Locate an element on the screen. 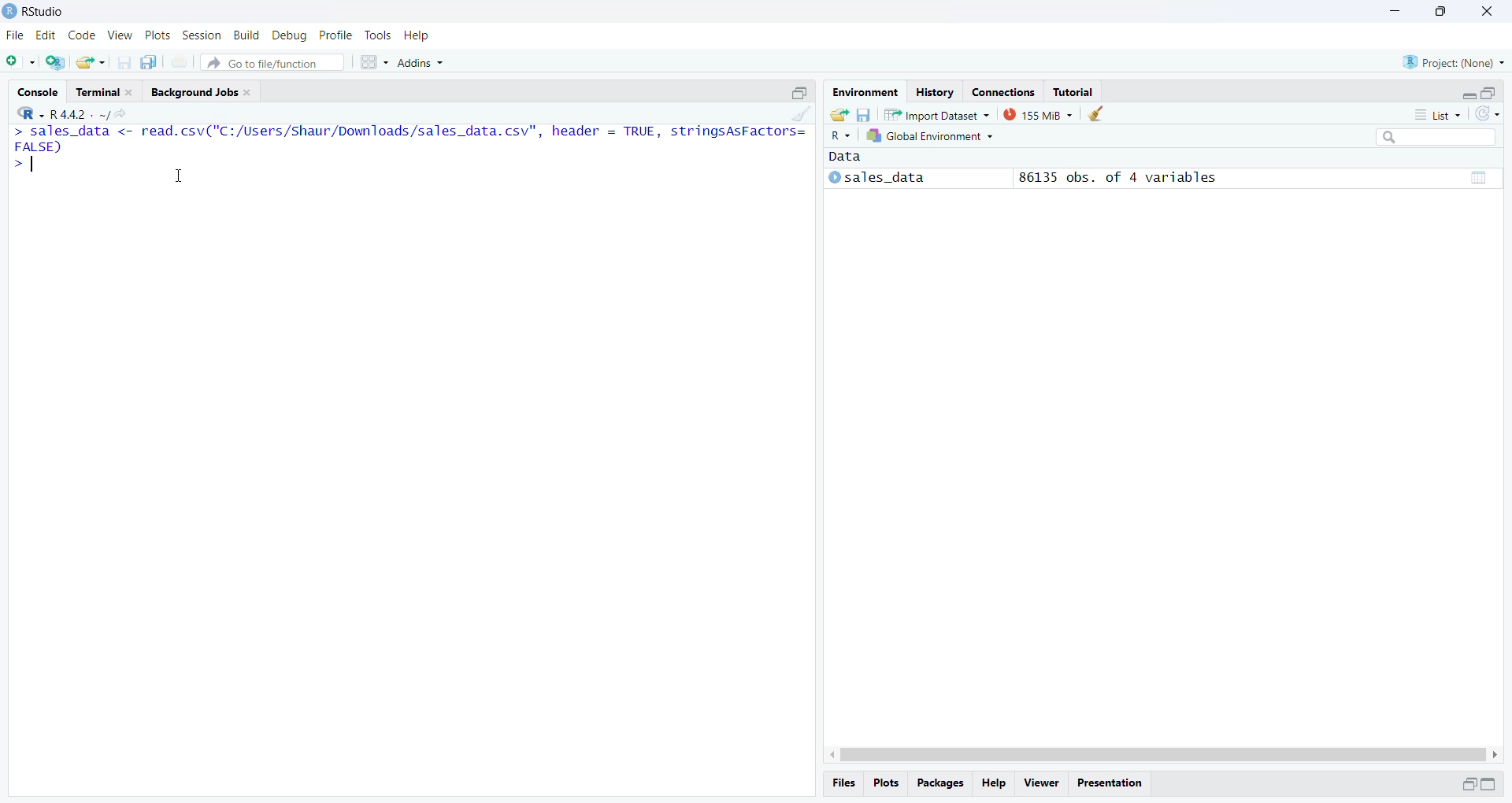 The image size is (1512, 803). R is located at coordinates (839, 136).